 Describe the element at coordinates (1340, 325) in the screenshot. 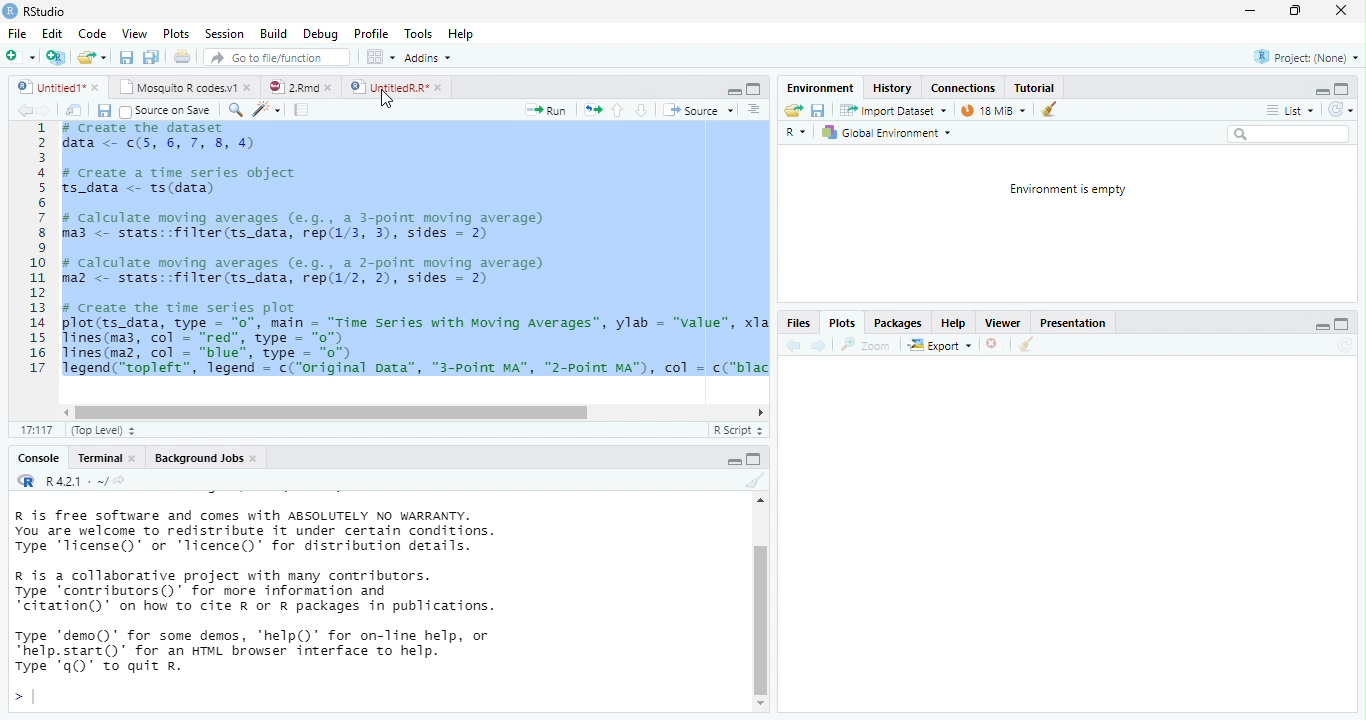

I see `maximize` at that location.